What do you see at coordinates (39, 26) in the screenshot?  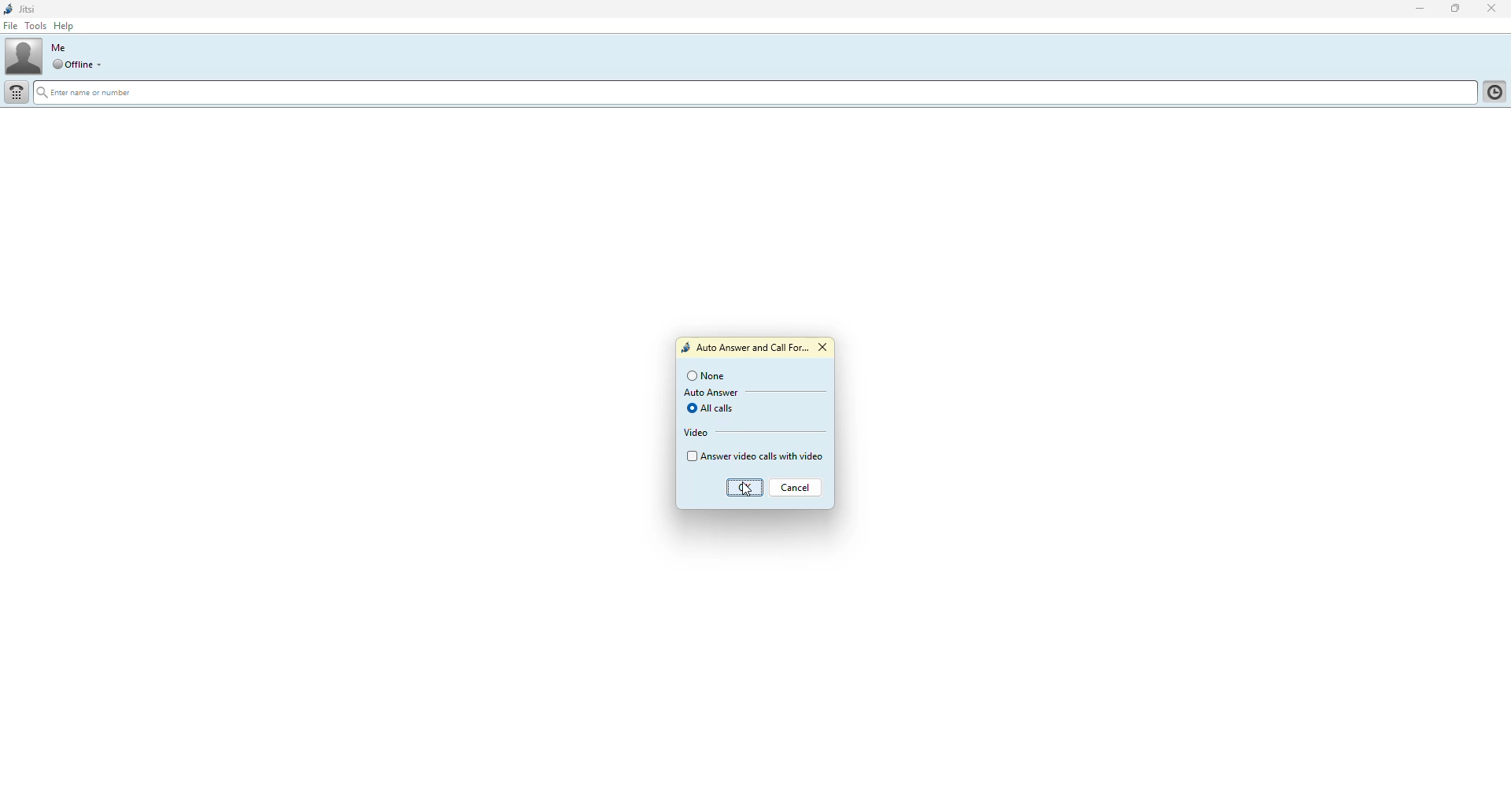 I see `tools` at bounding box center [39, 26].